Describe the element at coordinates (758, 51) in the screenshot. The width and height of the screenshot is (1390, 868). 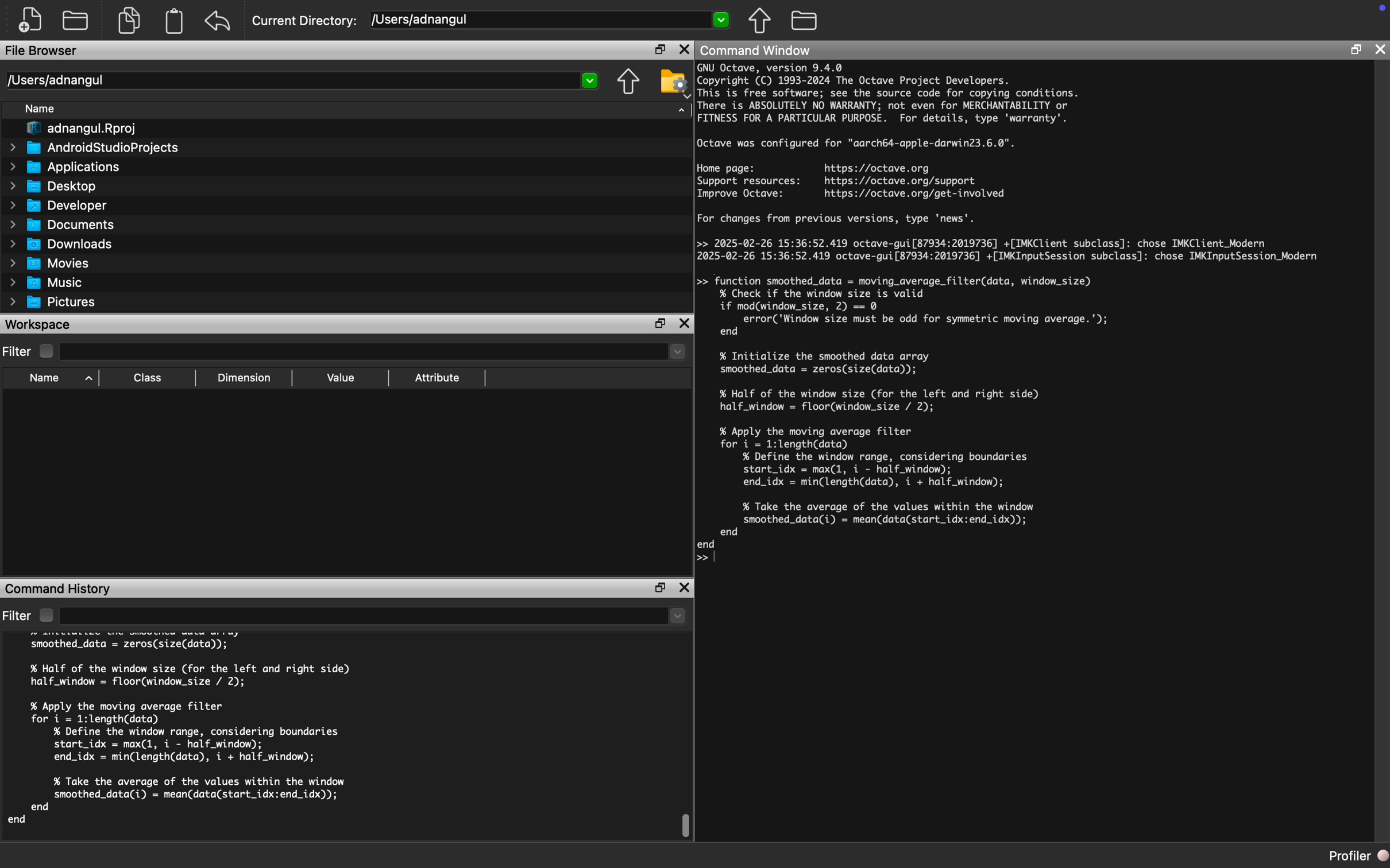
I see `Command Window` at that location.